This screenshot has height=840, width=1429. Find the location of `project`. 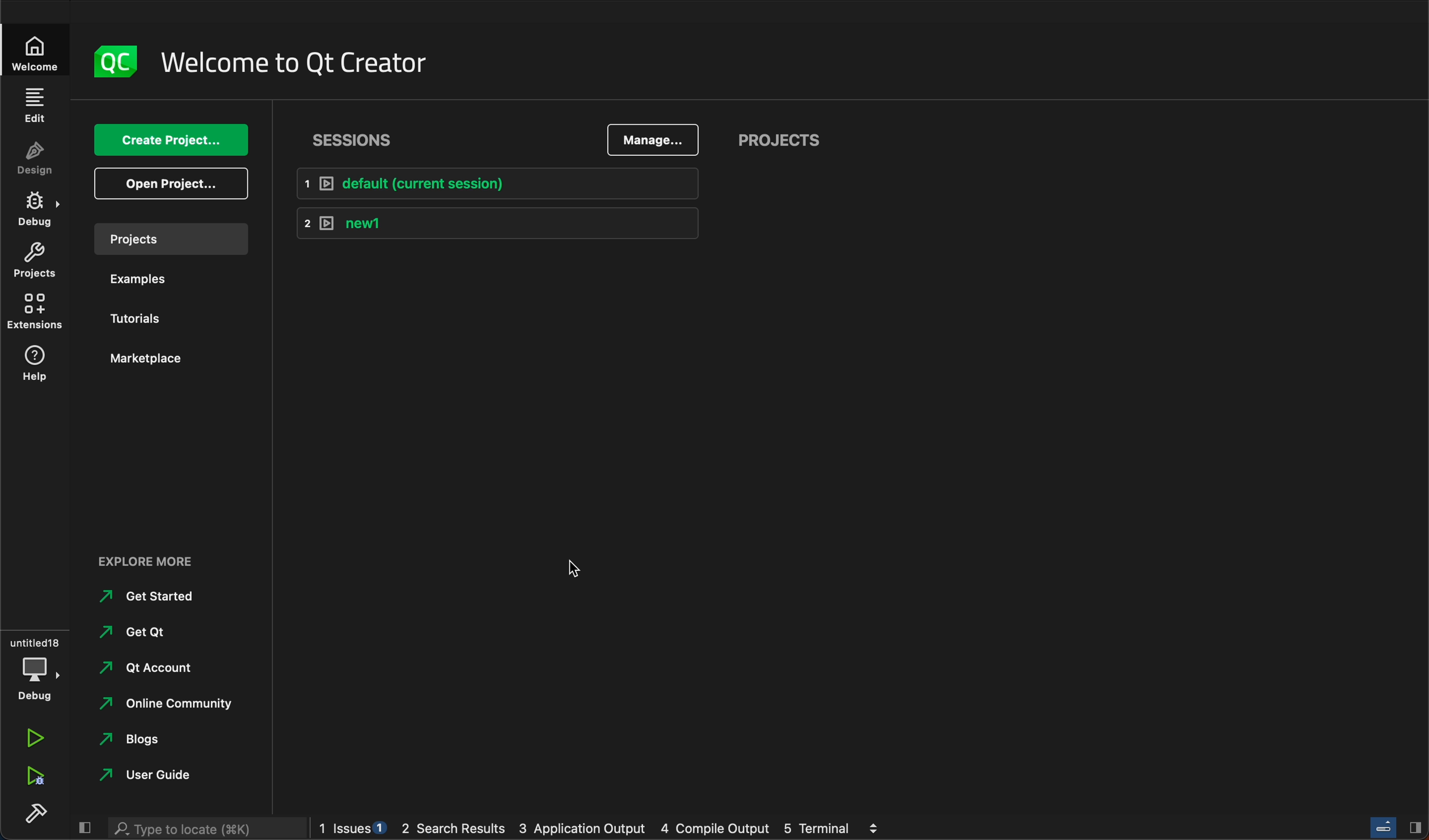

project is located at coordinates (787, 137).